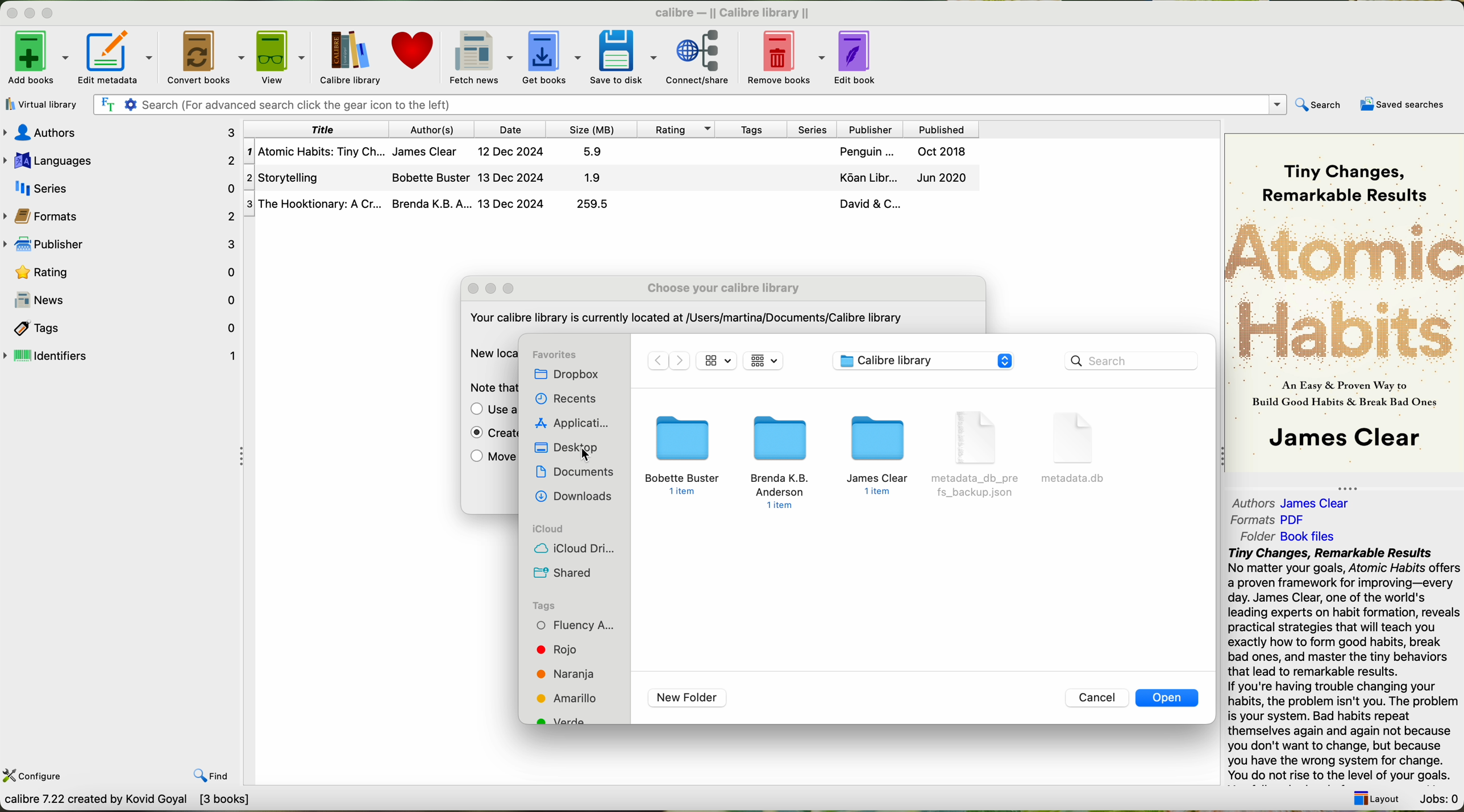  What do you see at coordinates (348, 57) in the screenshot?
I see `click on calibre library` at bounding box center [348, 57].